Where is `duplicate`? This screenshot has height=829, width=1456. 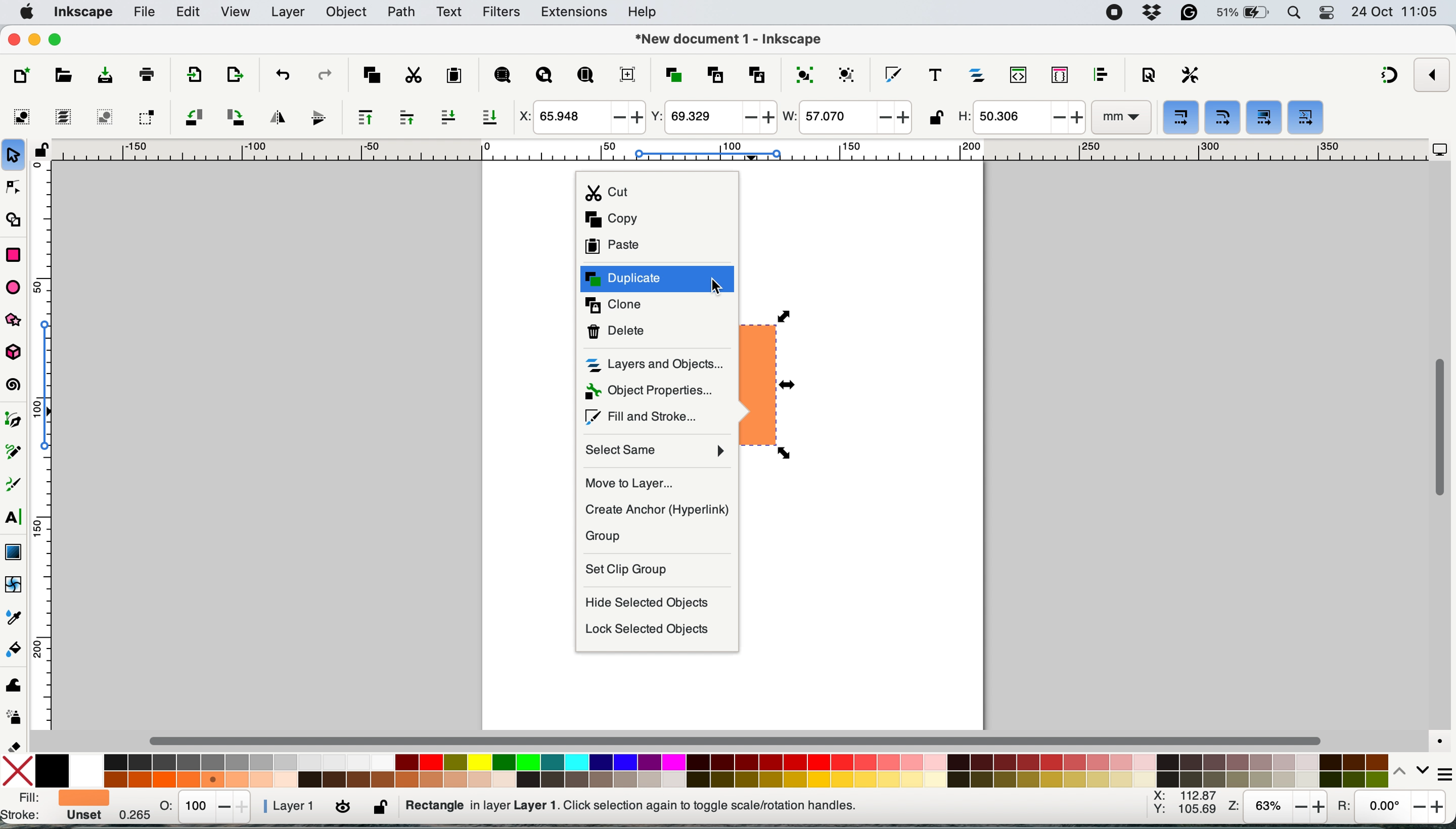
duplicate is located at coordinates (657, 278).